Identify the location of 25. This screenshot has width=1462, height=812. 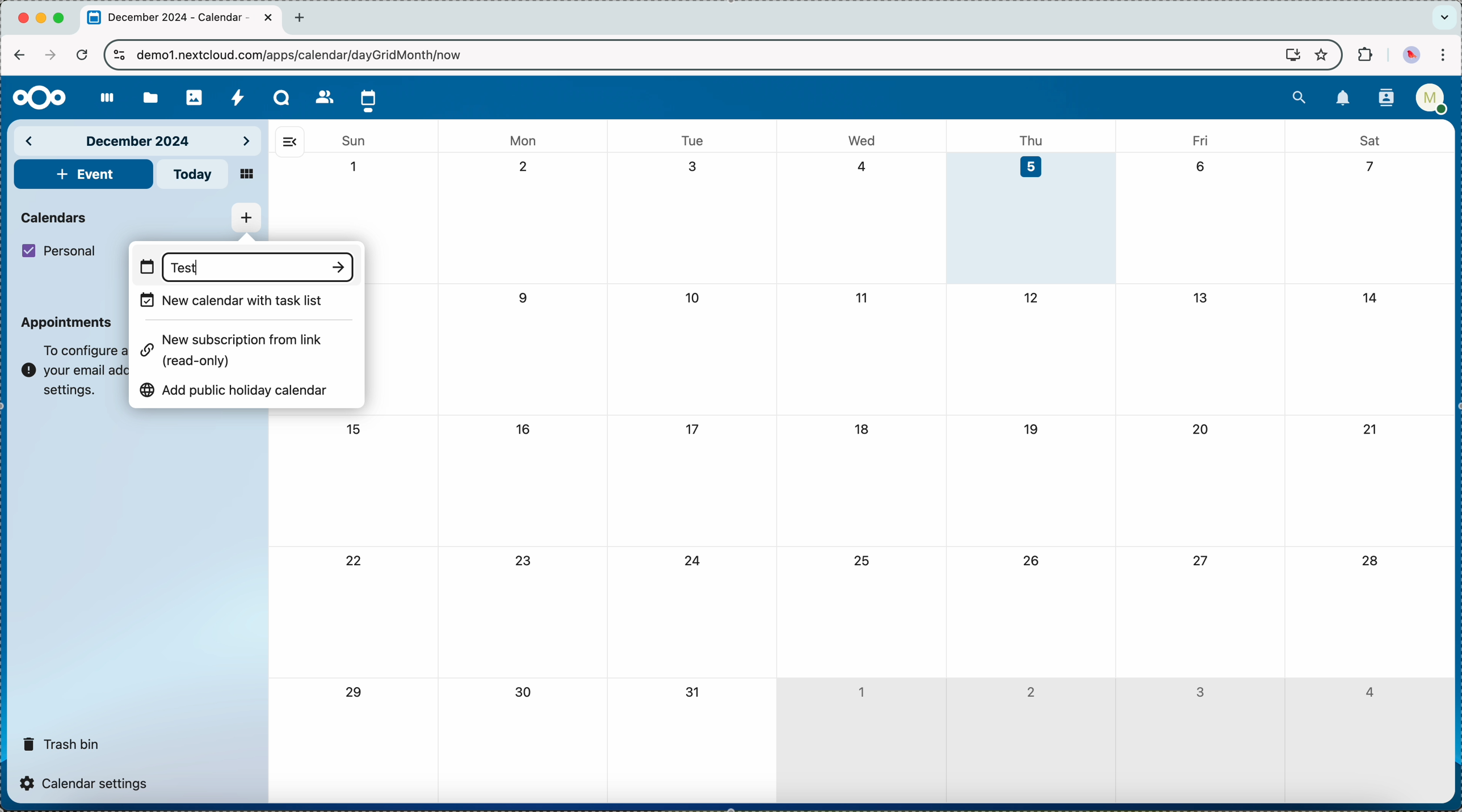
(860, 560).